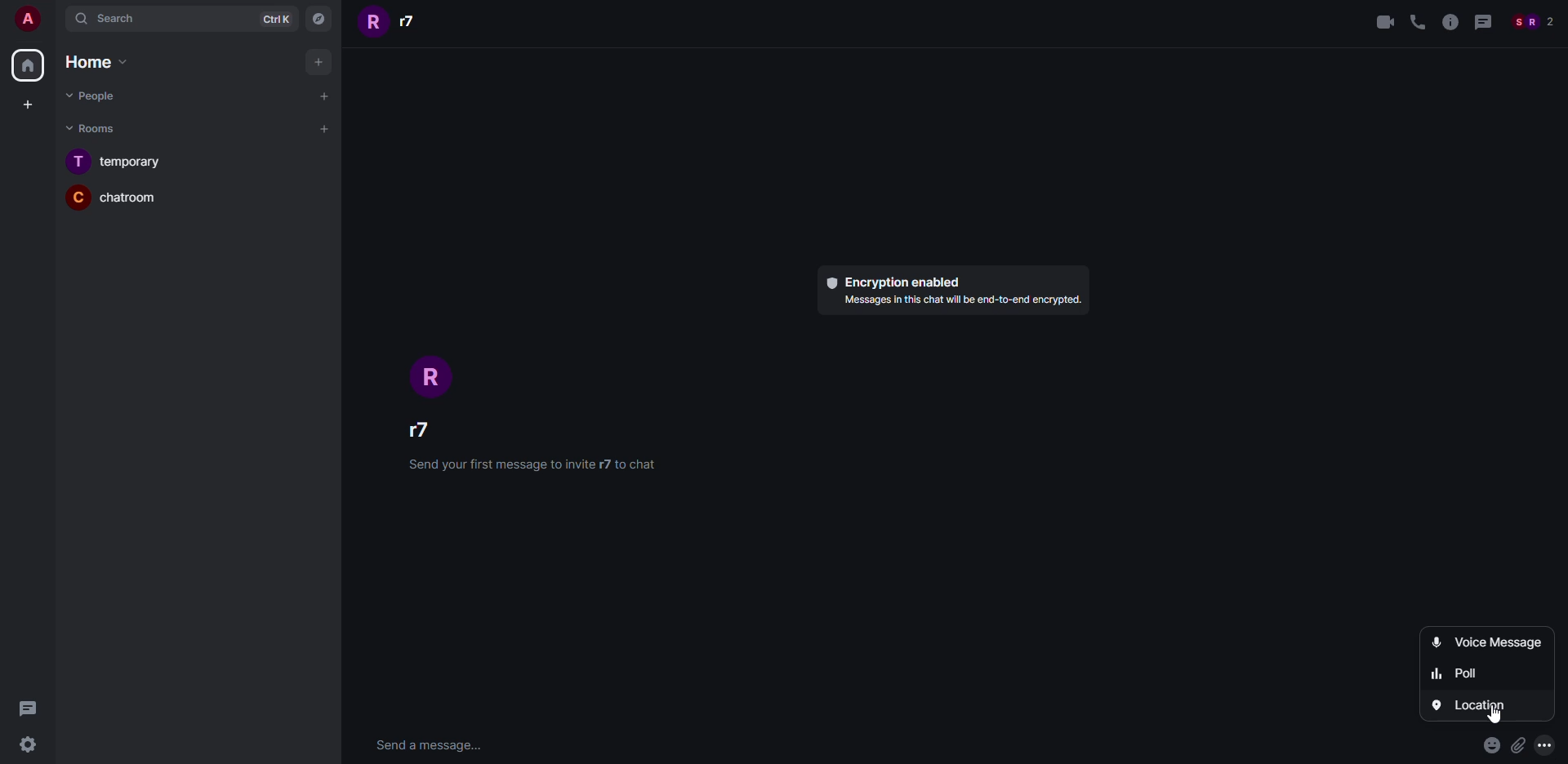  I want to click on text, so click(960, 301).